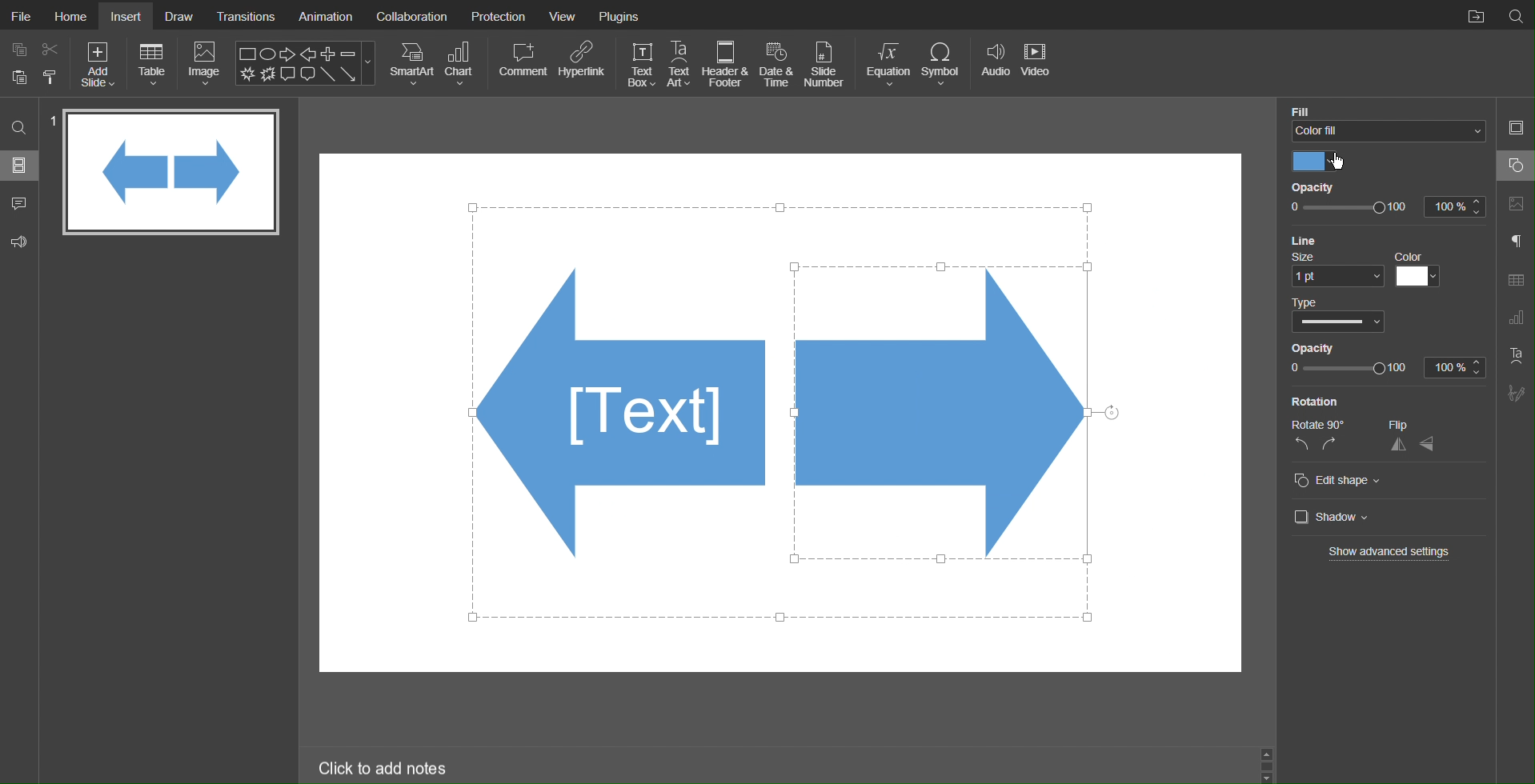  What do you see at coordinates (1298, 447) in the screenshot?
I see `rotate left 90` at bounding box center [1298, 447].